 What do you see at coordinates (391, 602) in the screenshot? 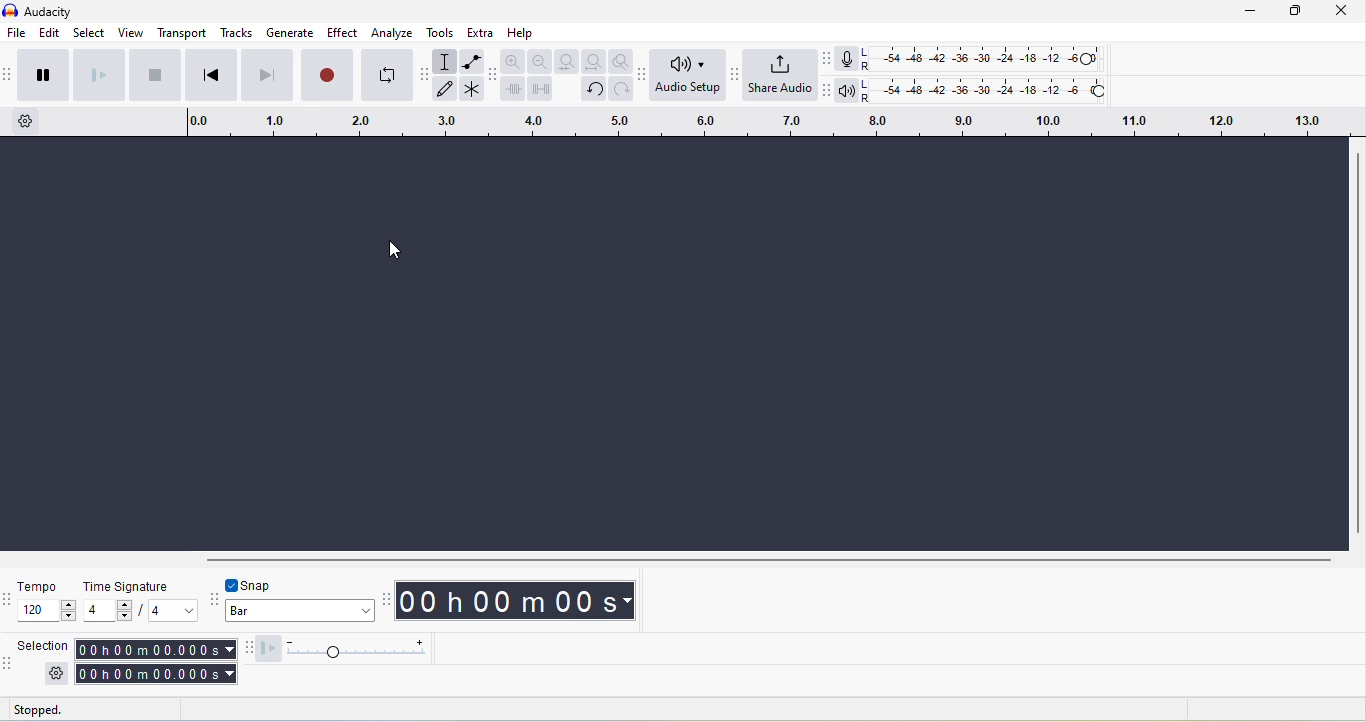
I see `audacity time toolbar` at bounding box center [391, 602].